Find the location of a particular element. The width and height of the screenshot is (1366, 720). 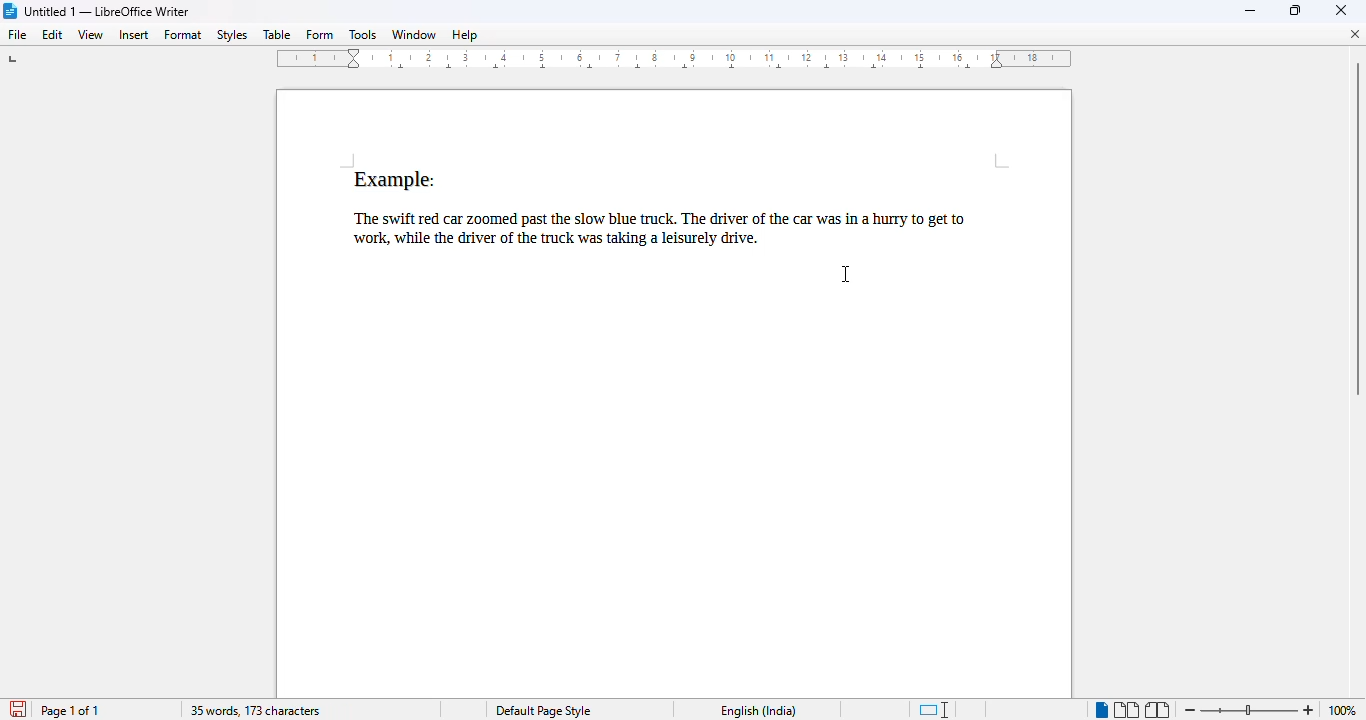

English (India) is located at coordinates (759, 711).